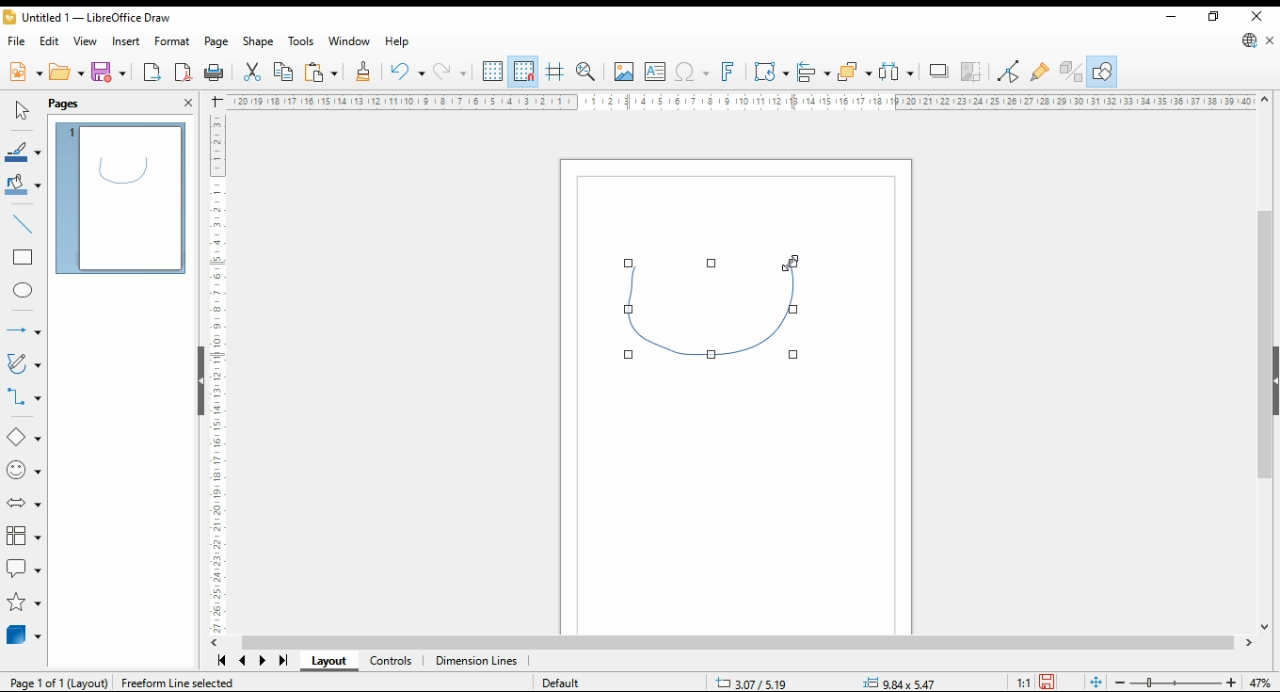  I want to click on transformations, so click(771, 74).